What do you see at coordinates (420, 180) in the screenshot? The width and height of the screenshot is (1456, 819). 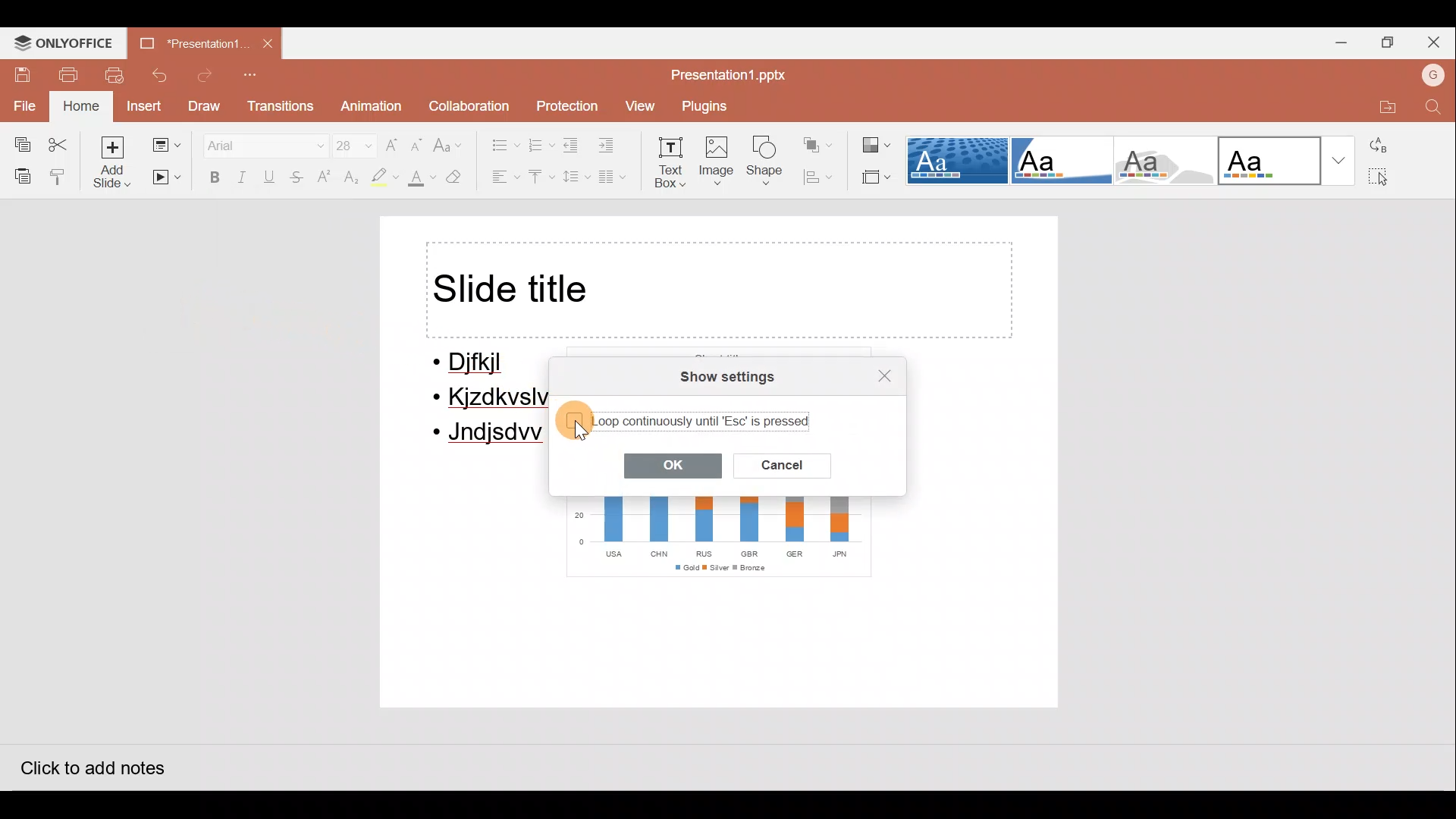 I see `Fill colour` at bounding box center [420, 180].